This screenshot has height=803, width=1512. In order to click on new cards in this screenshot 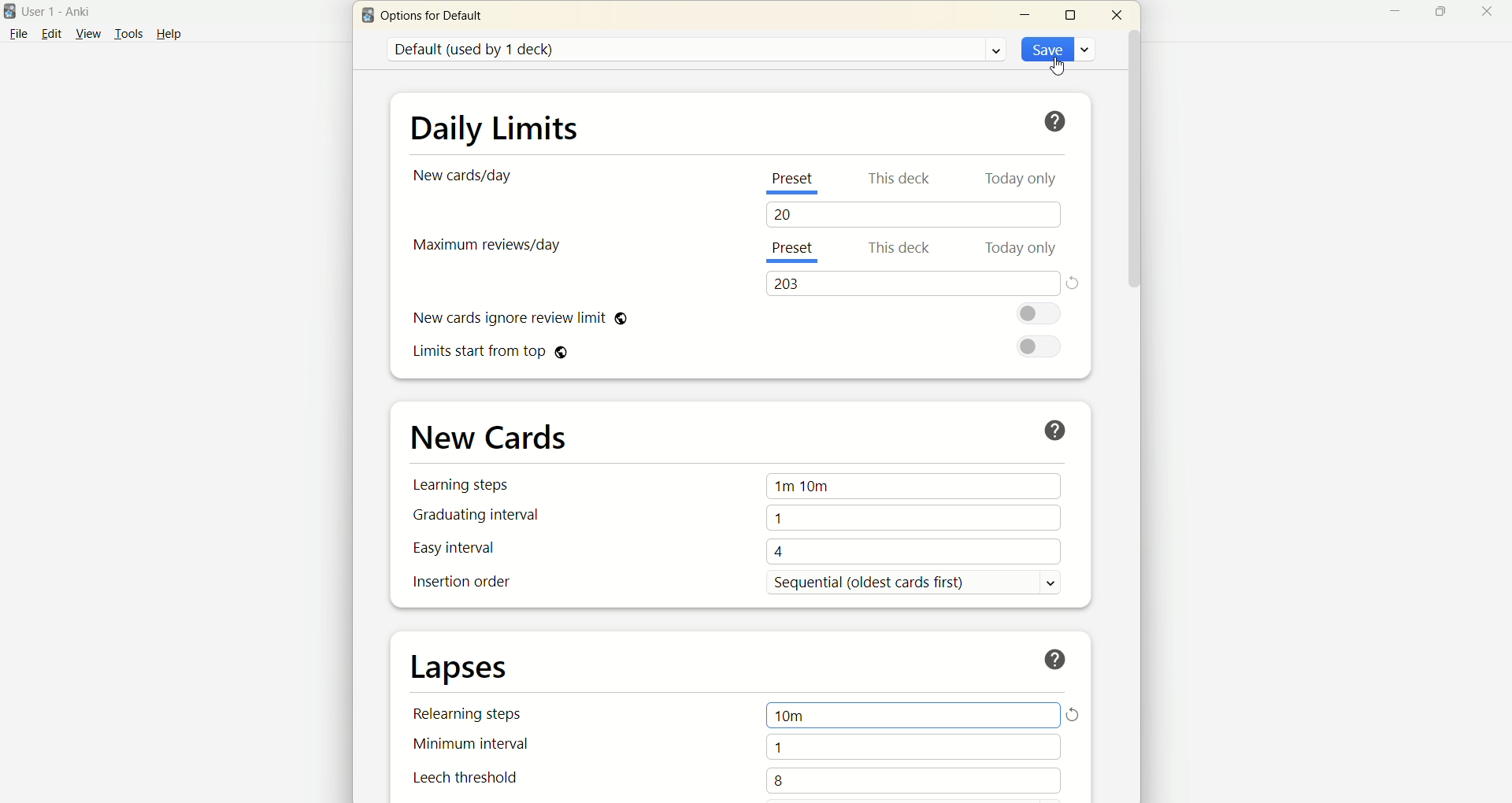, I will do `click(490, 435)`.